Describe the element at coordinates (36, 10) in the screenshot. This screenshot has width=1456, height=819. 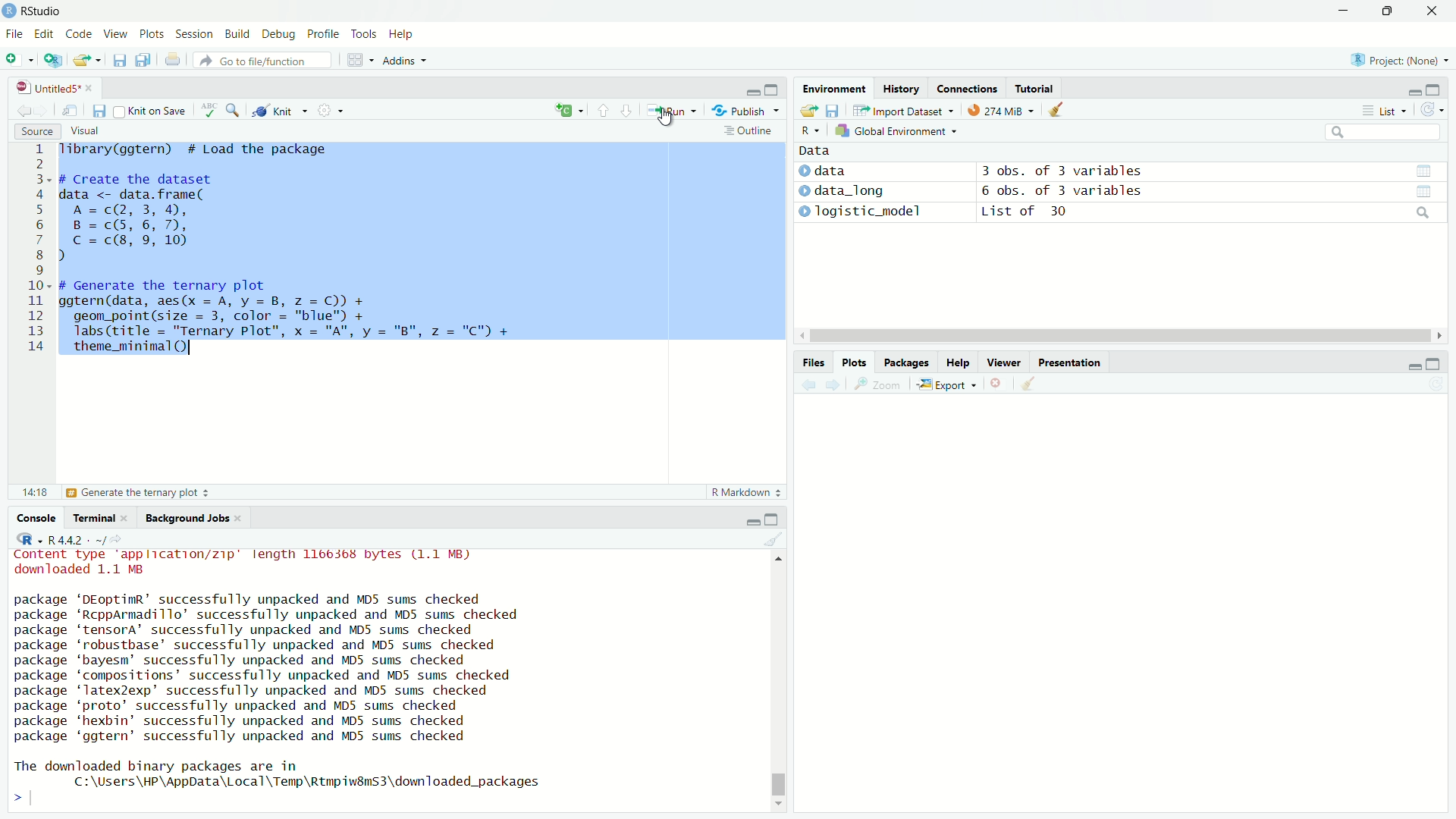
I see `RStudio` at that location.